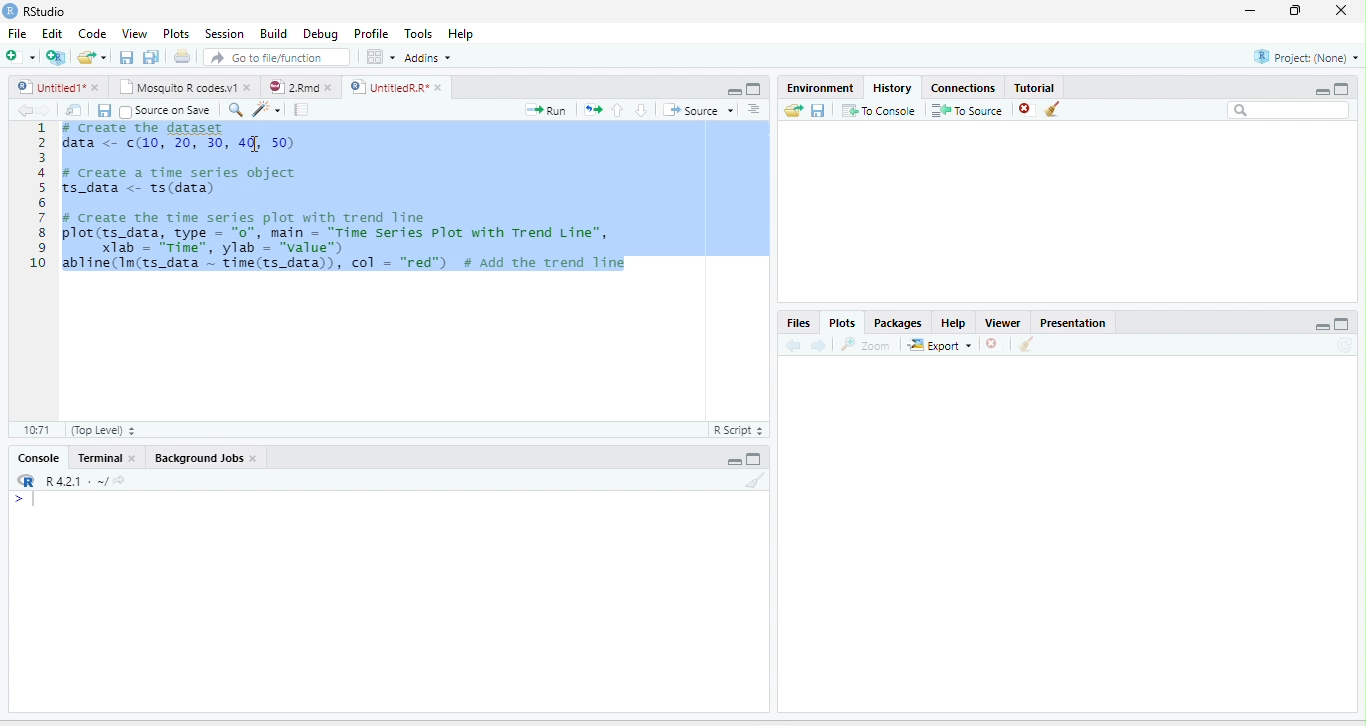 This screenshot has height=726, width=1366. Describe the element at coordinates (739, 430) in the screenshot. I see `R Script` at that location.